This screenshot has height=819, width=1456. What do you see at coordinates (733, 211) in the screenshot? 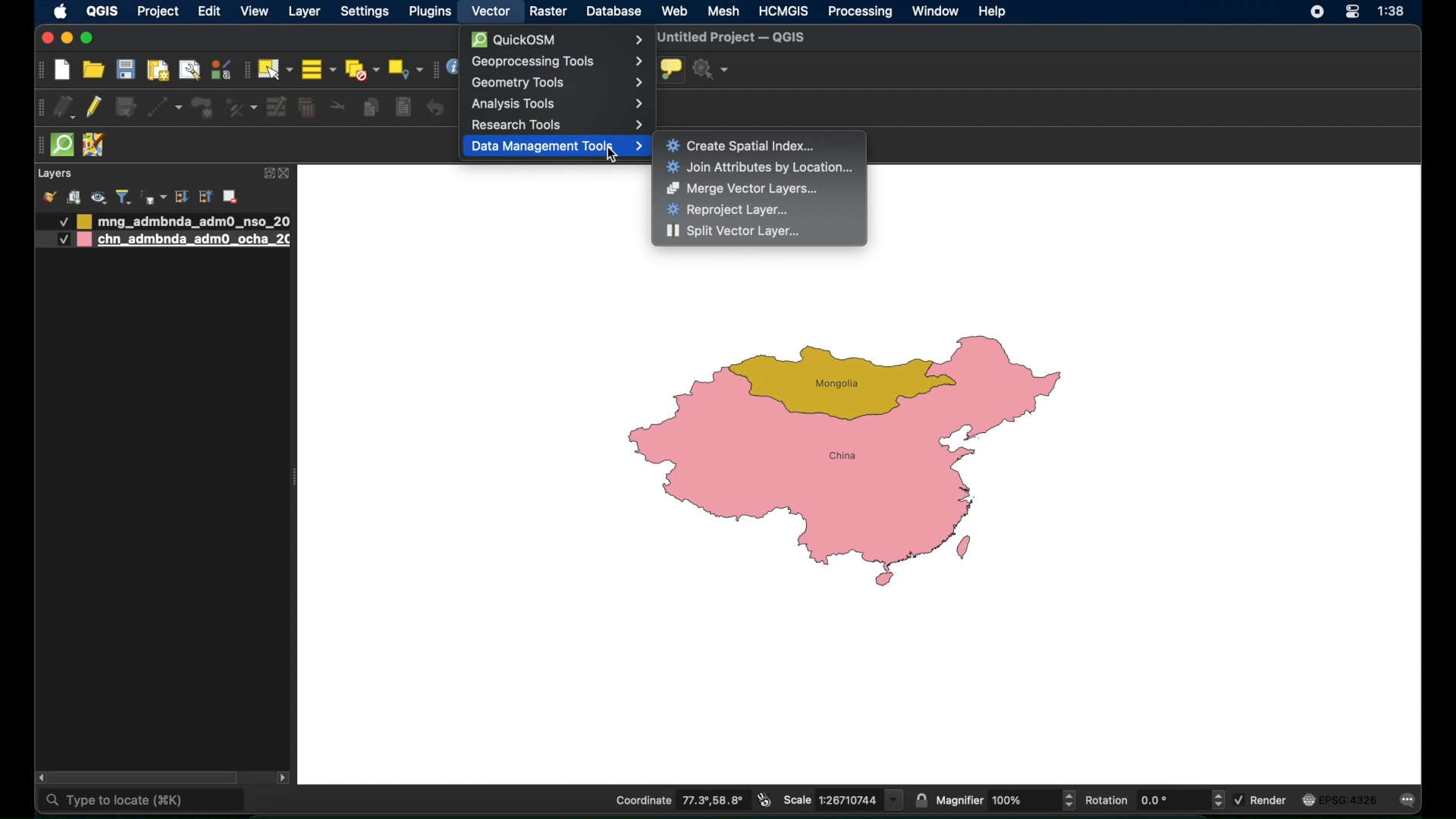
I see `Reproject Layer...` at bounding box center [733, 211].